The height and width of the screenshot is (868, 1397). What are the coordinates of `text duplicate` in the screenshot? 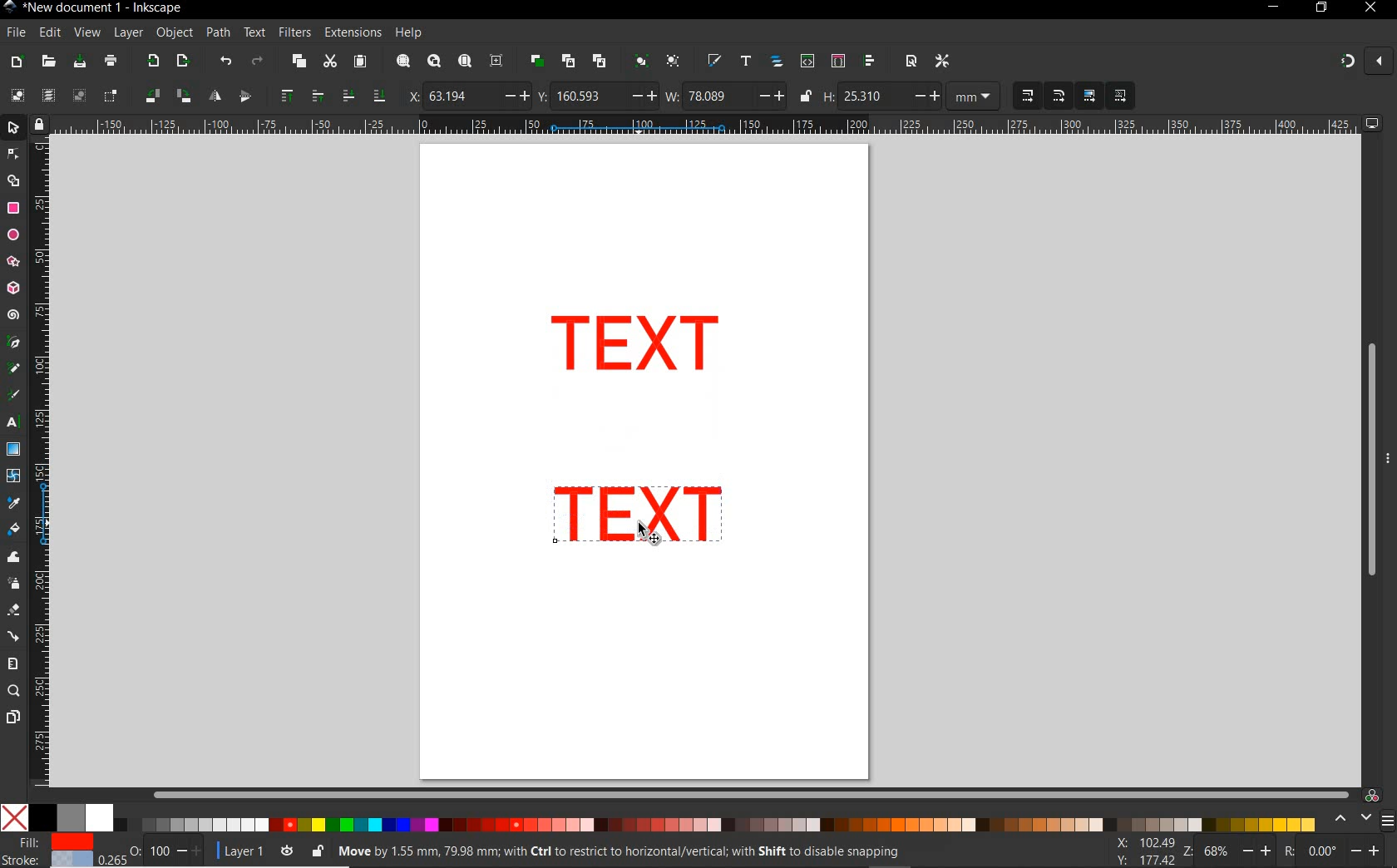 It's located at (643, 516).